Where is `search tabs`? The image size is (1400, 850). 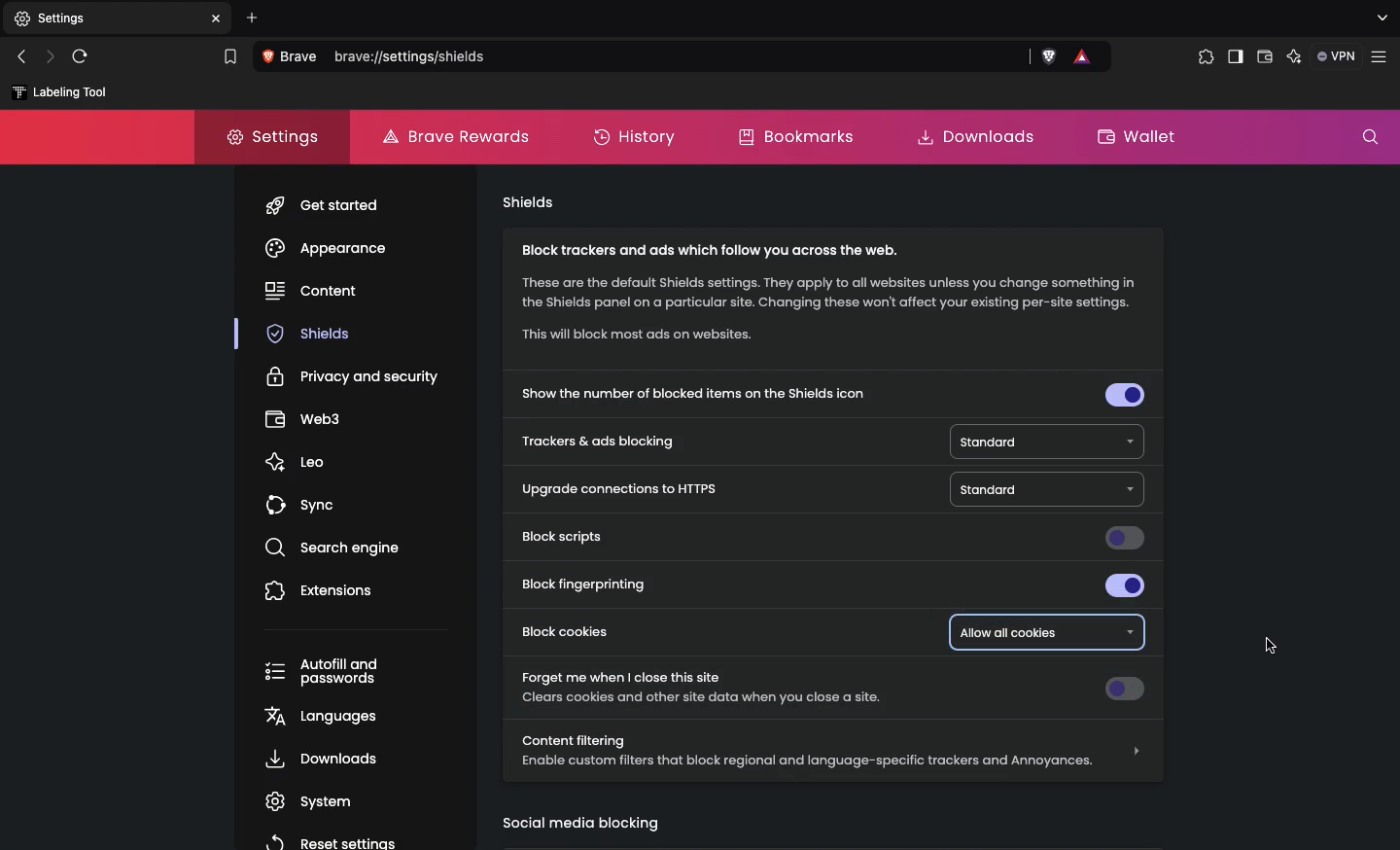 search tabs is located at coordinates (1379, 19).